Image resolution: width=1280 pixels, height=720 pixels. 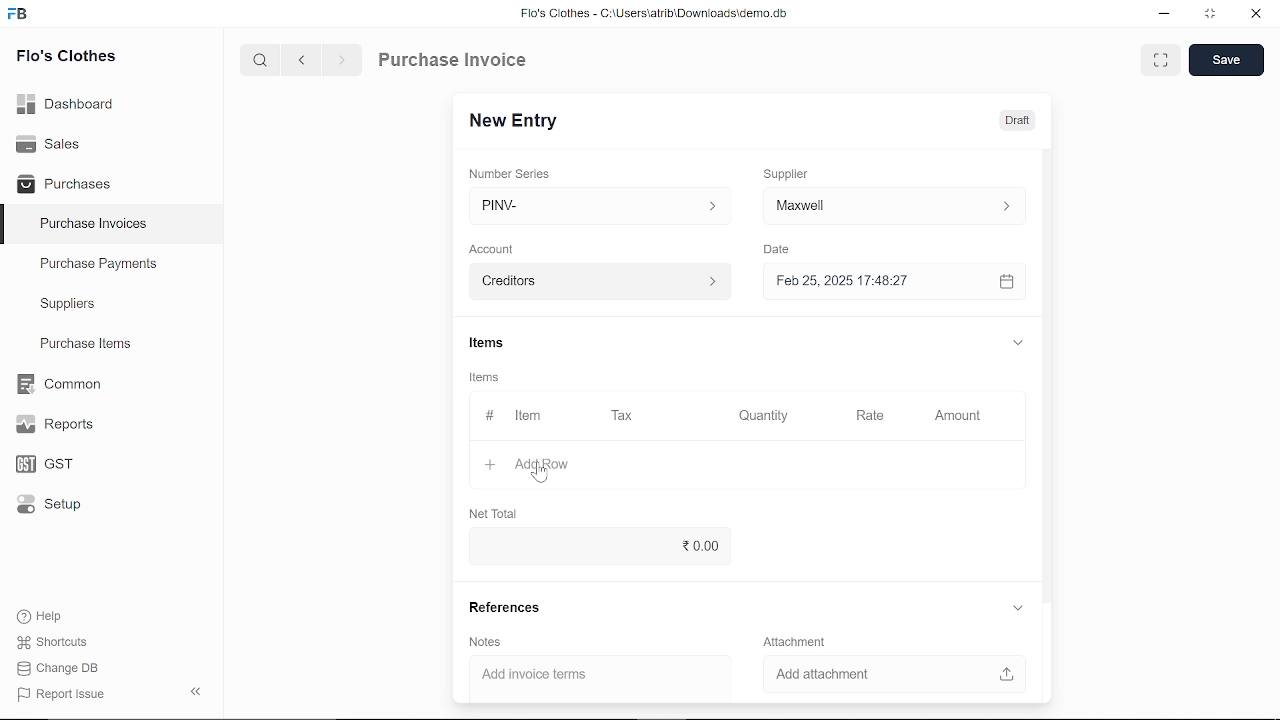 What do you see at coordinates (1009, 282) in the screenshot?
I see `calender` at bounding box center [1009, 282].